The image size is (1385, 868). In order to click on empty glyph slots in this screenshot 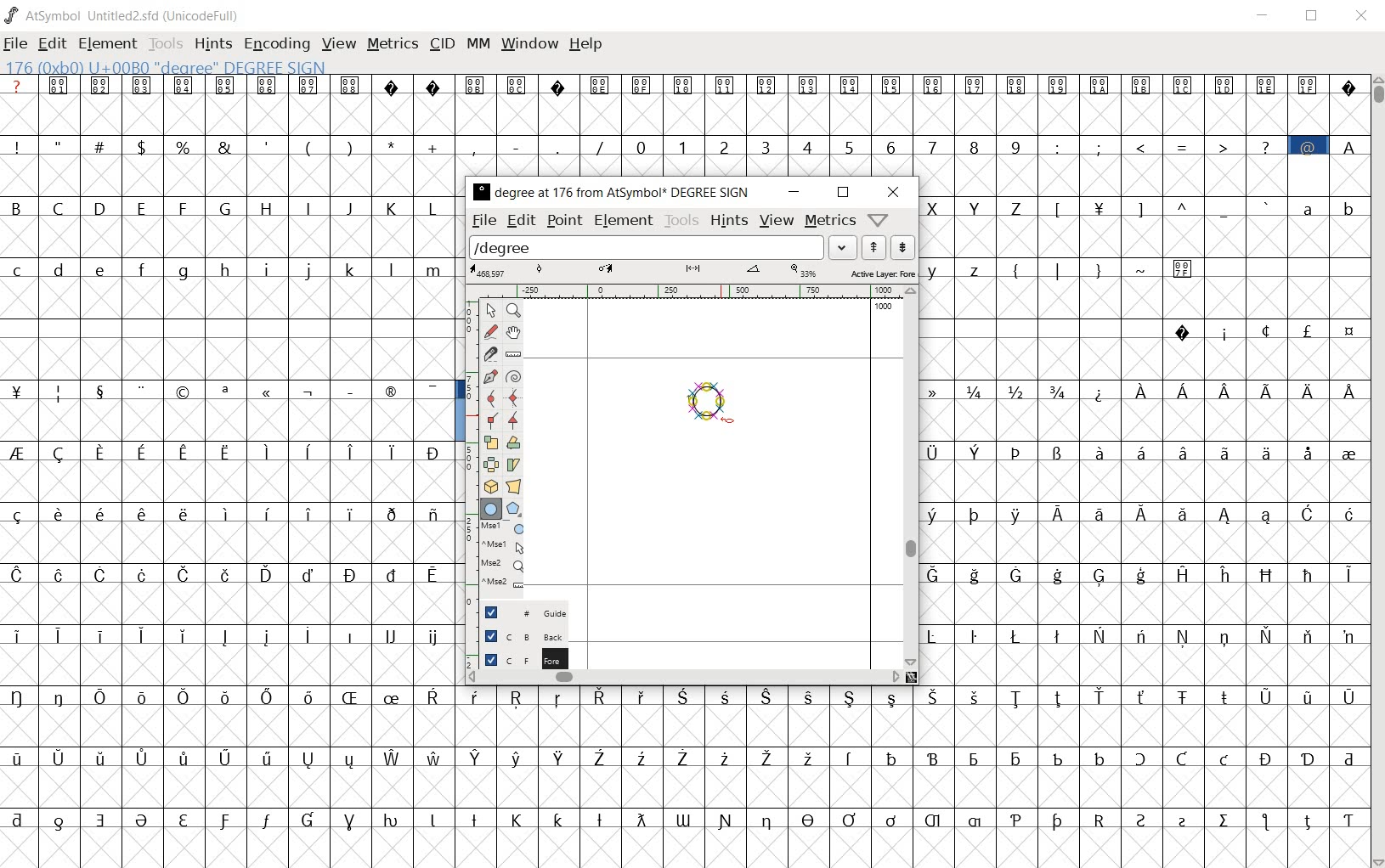, I will do `click(232, 664)`.